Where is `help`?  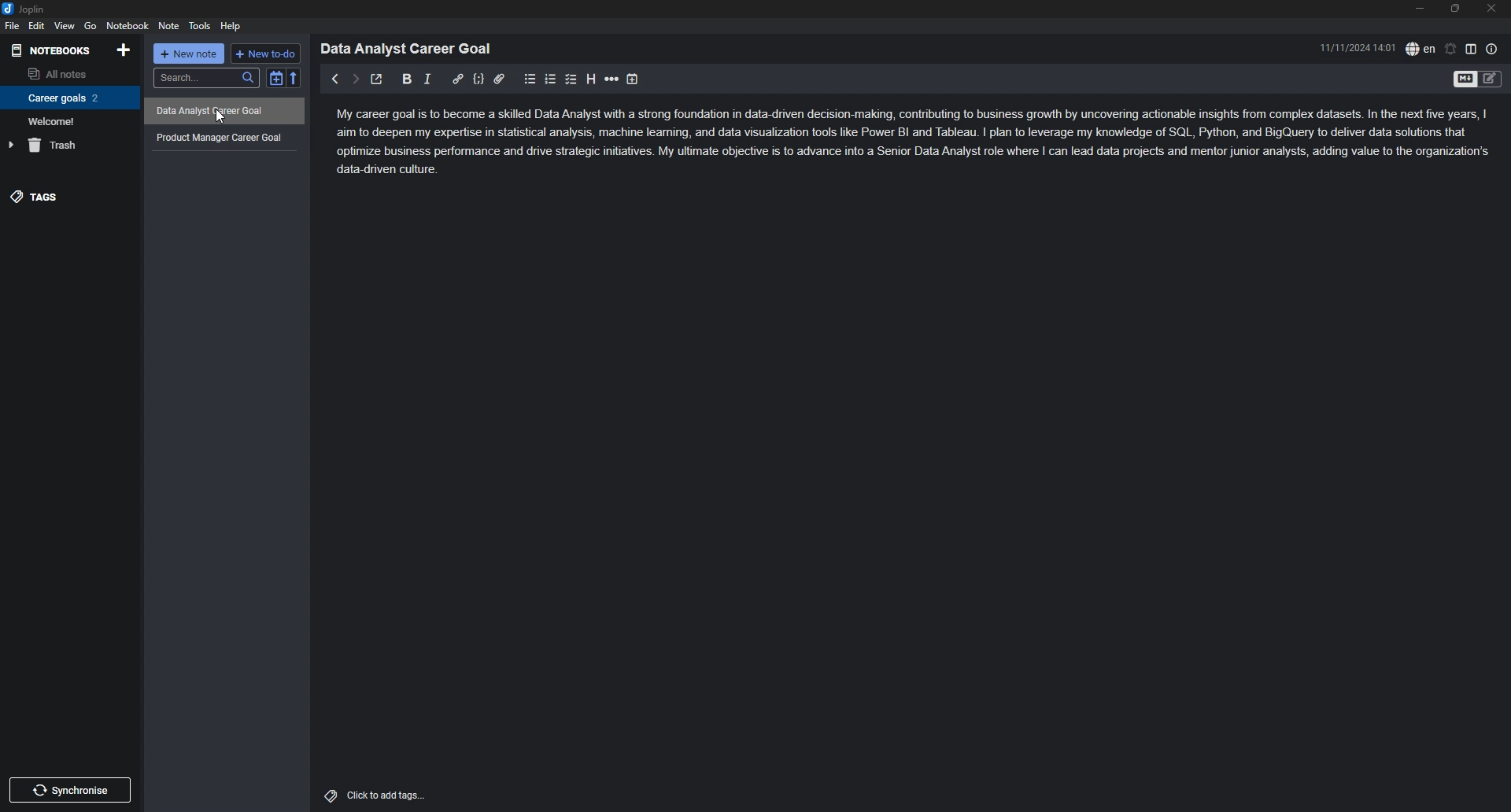 help is located at coordinates (231, 27).